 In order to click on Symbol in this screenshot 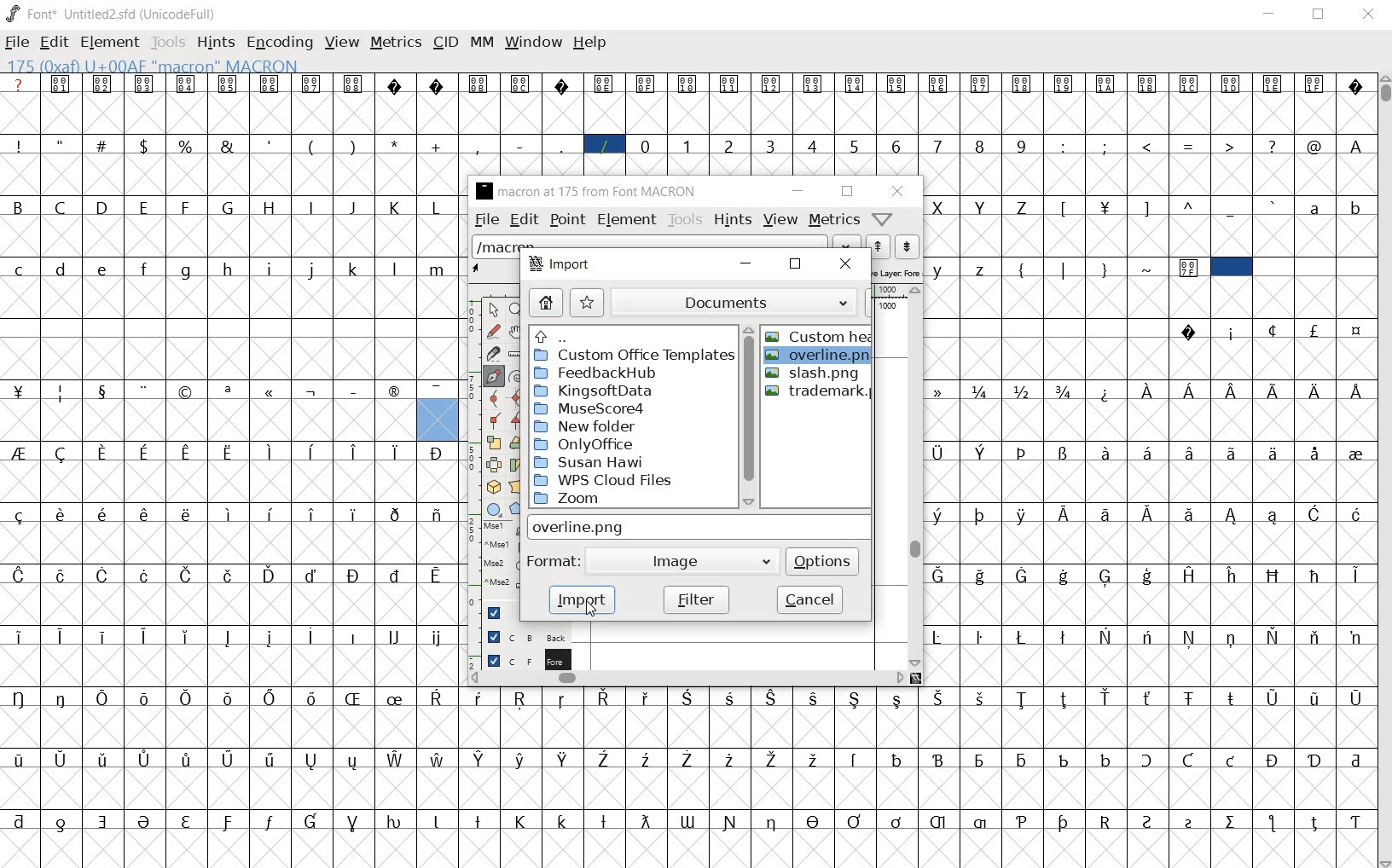, I will do `click(1314, 512)`.